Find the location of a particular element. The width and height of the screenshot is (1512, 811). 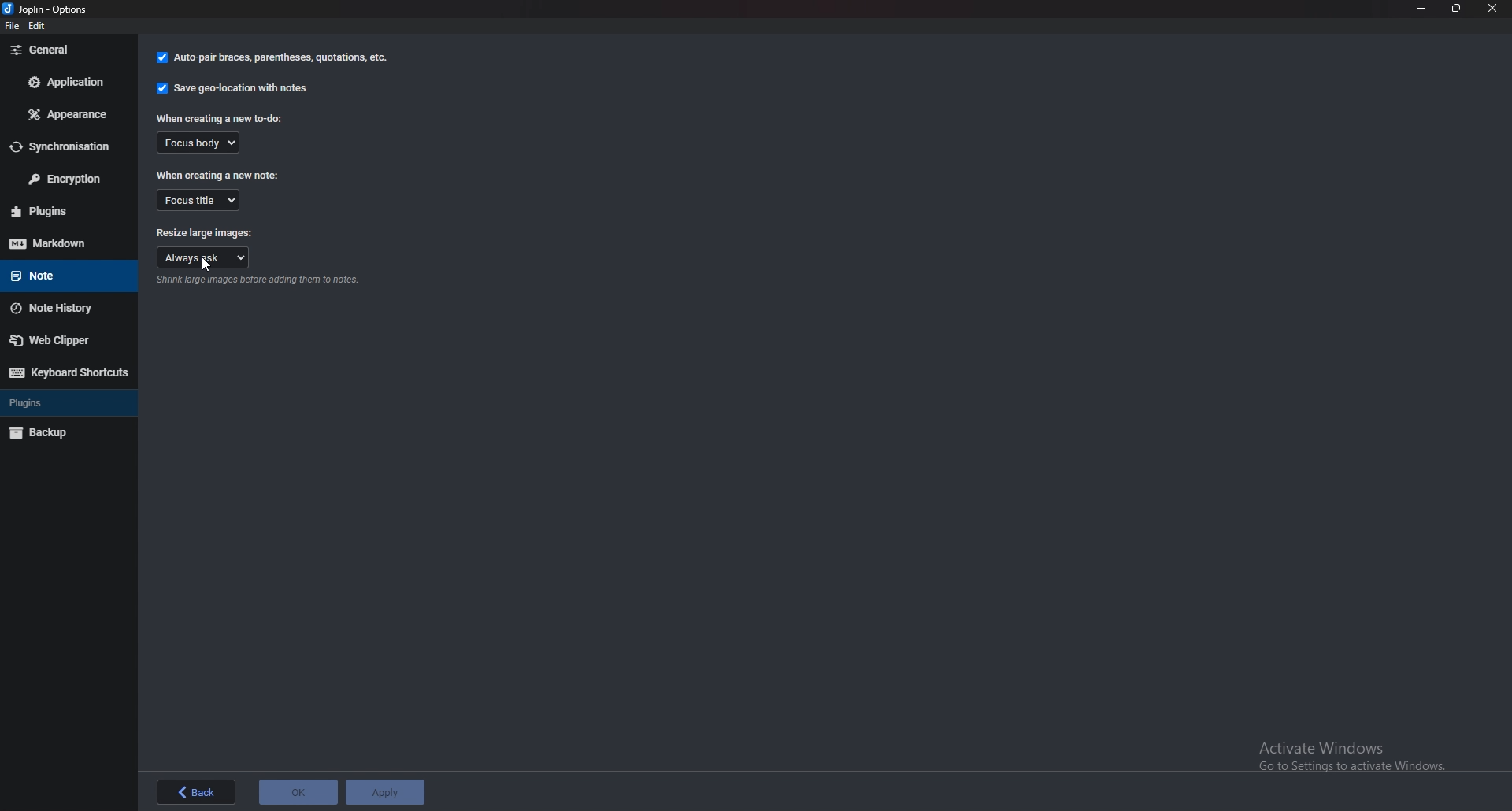

Focus body is located at coordinates (197, 142).